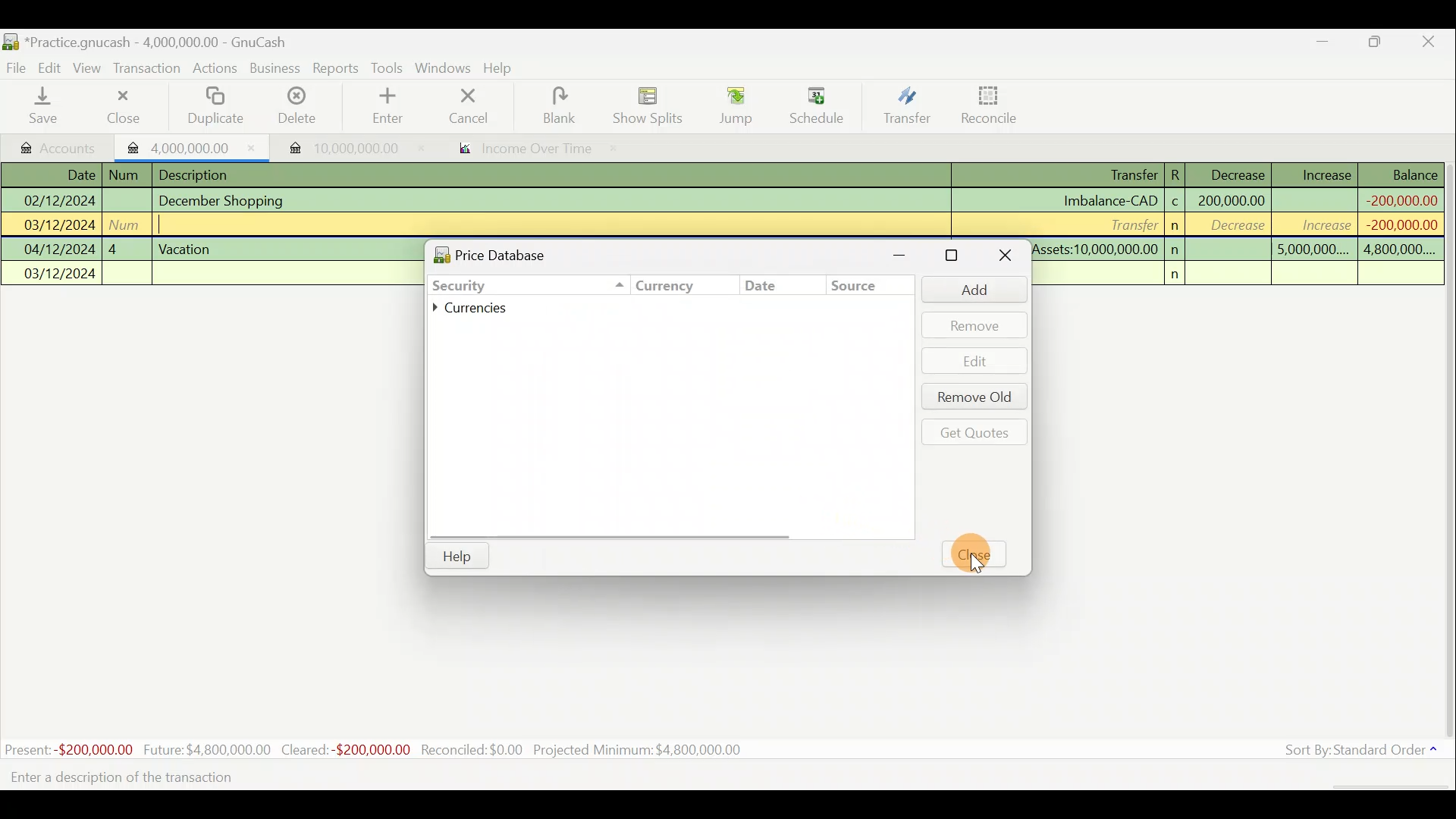 This screenshot has height=819, width=1456. Describe the element at coordinates (457, 557) in the screenshot. I see `Help` at that location.